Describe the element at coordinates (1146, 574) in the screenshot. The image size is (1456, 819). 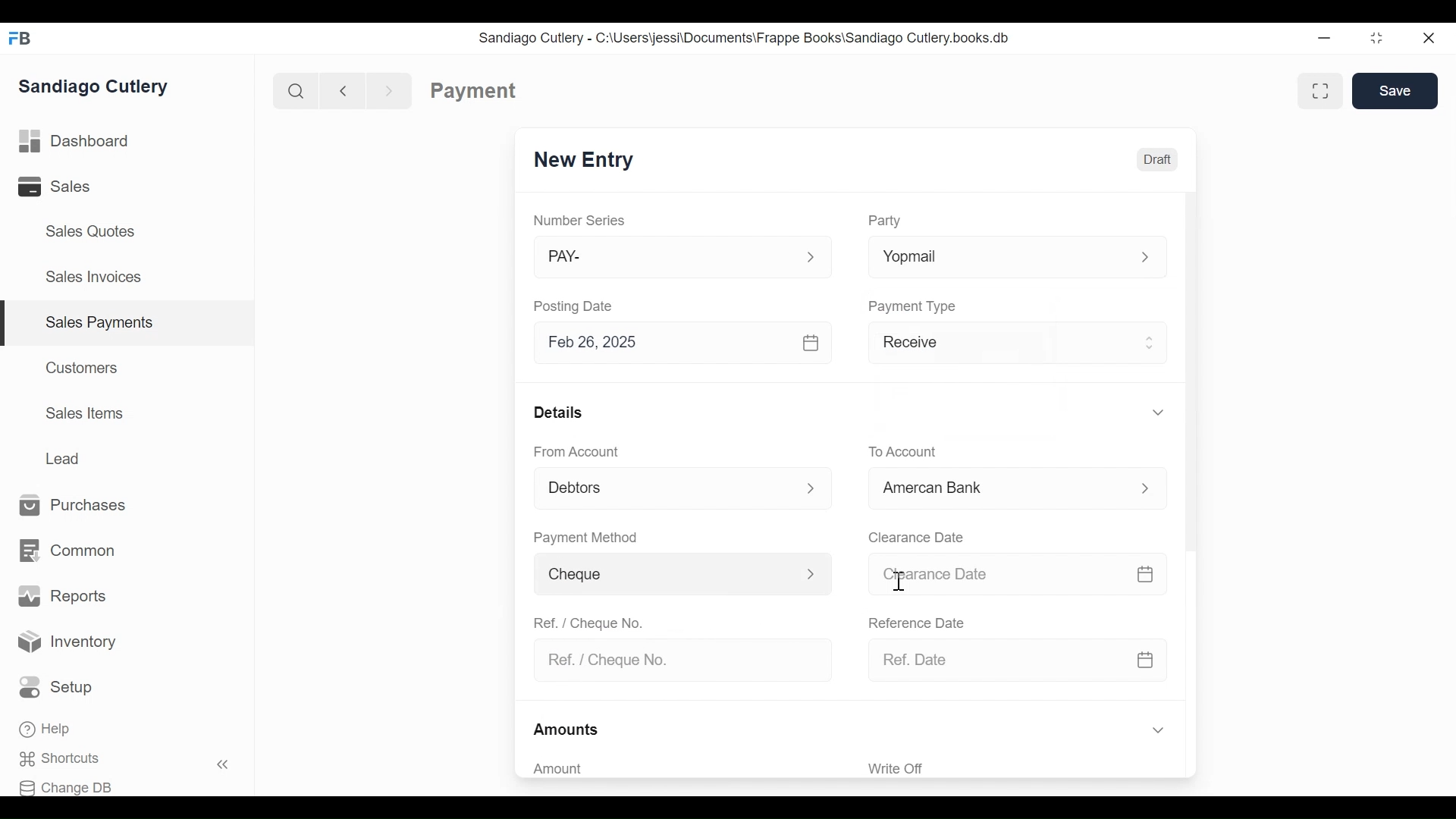
I see `Calendar` at that location.